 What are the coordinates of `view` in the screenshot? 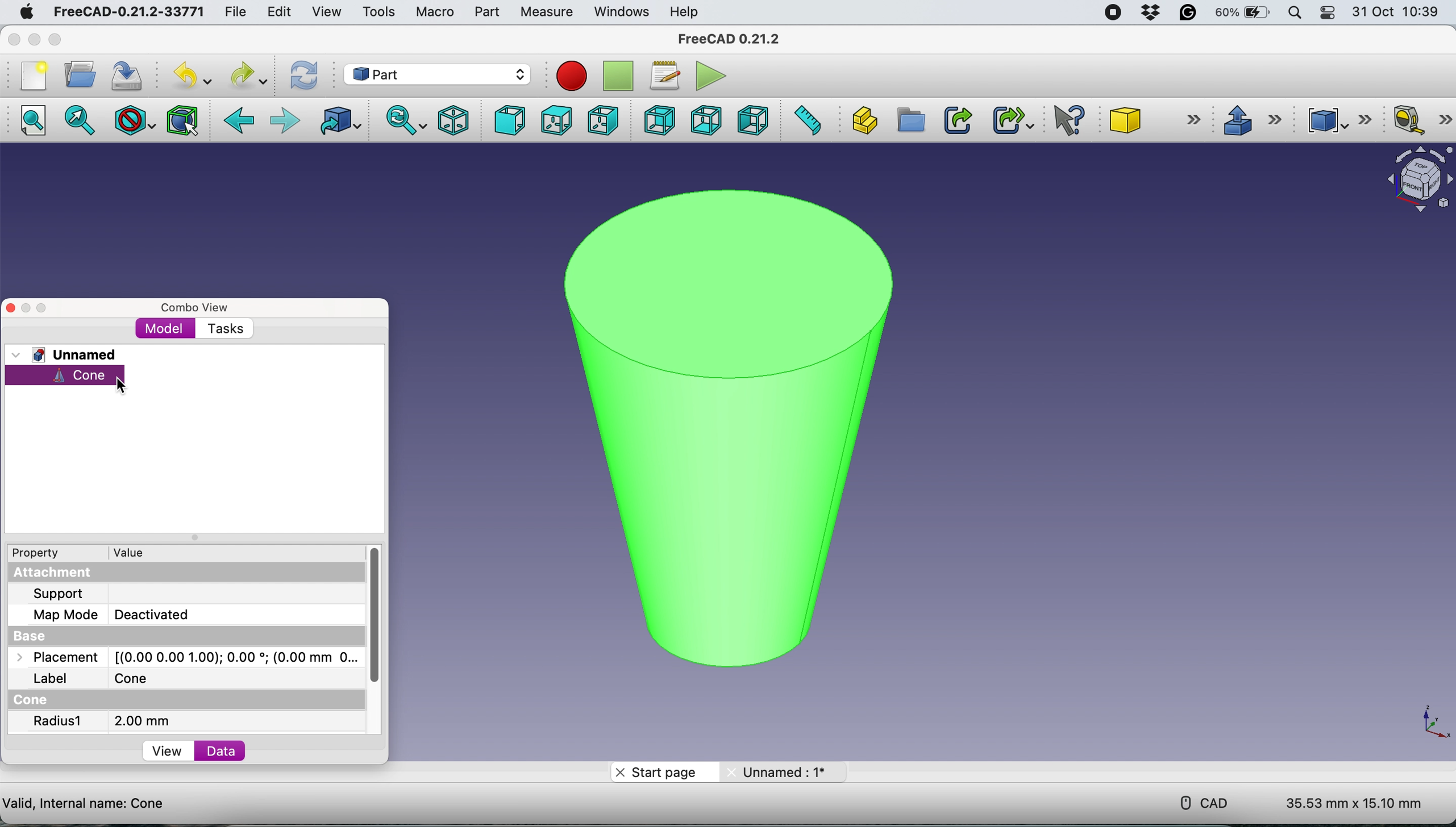 It's located at (169, 753).